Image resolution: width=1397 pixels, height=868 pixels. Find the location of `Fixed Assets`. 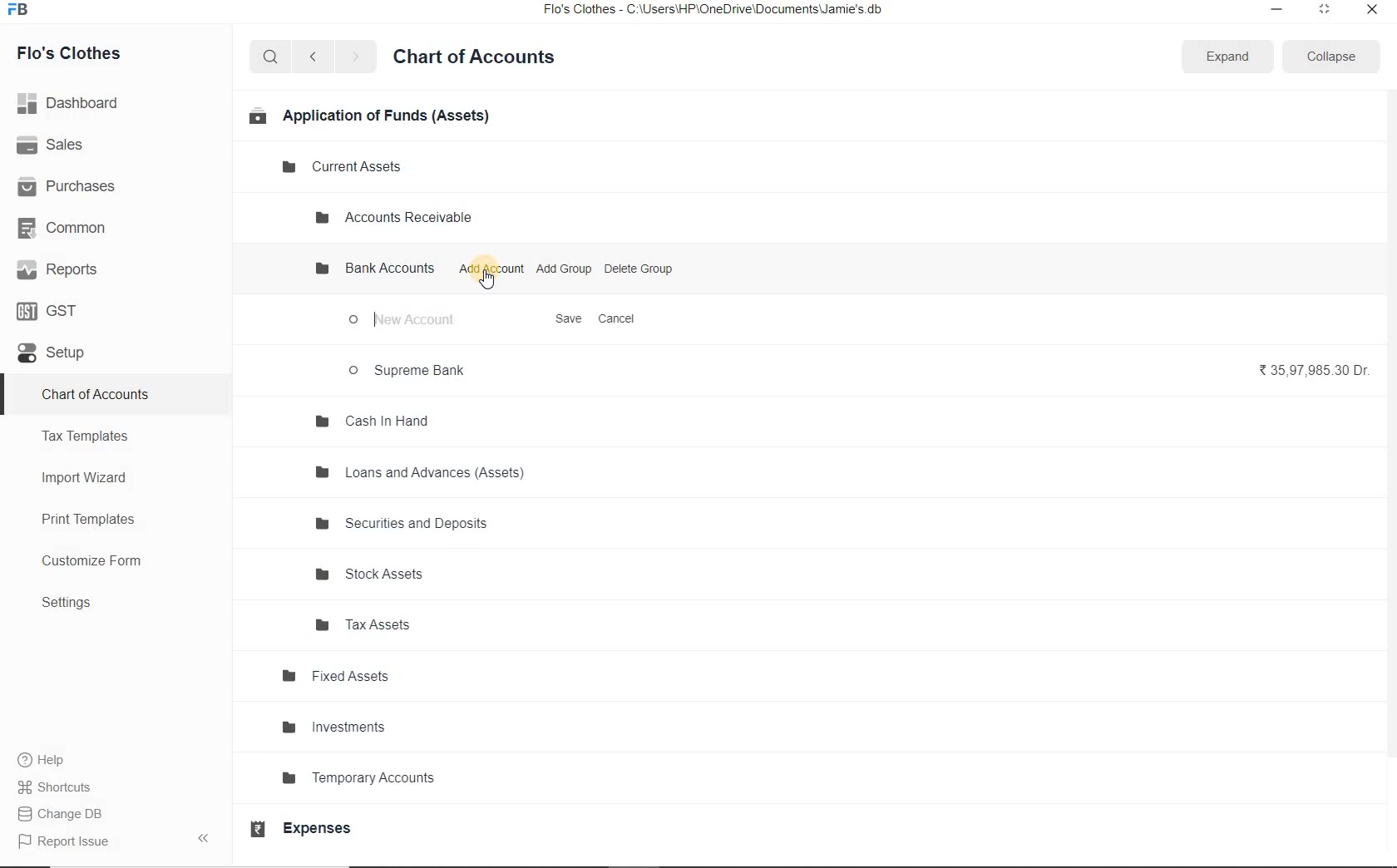

Fixed Assets is located at coordinates (357, 674).